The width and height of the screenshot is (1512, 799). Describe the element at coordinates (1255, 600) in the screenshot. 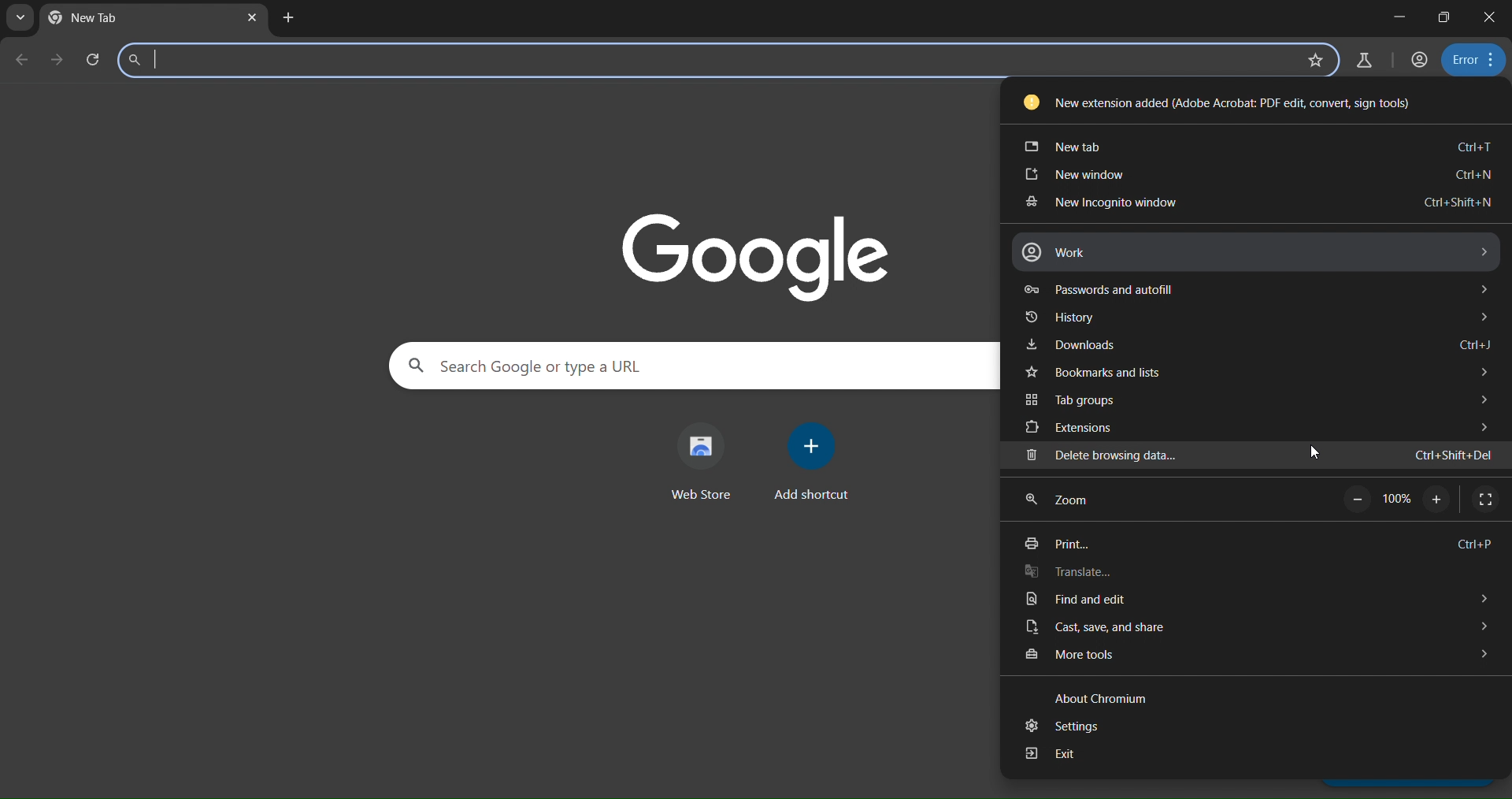

I see `find and edit` at that location.